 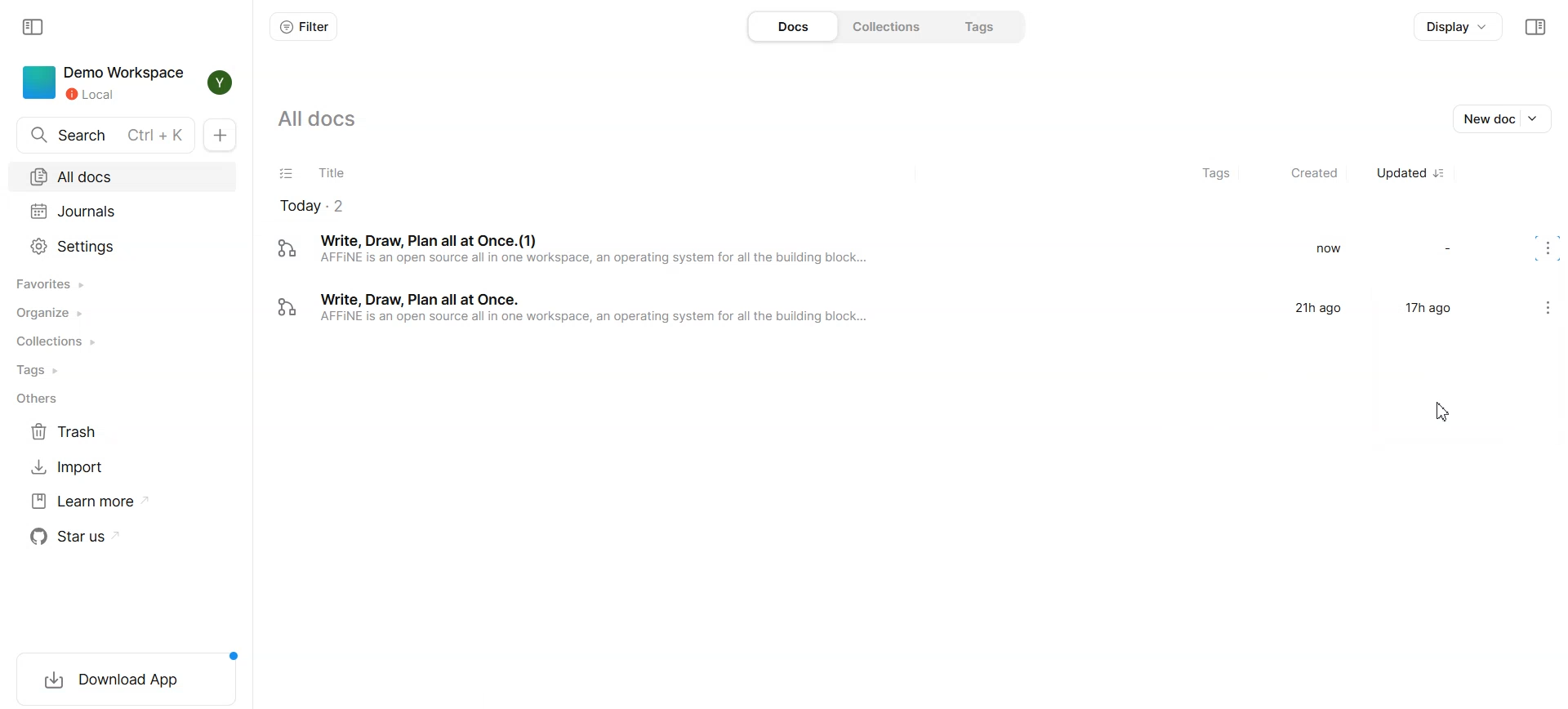 What do you see at coordinates (891, 27) in the screenshot?
I see `Collections` at bounding box center [891, 27].